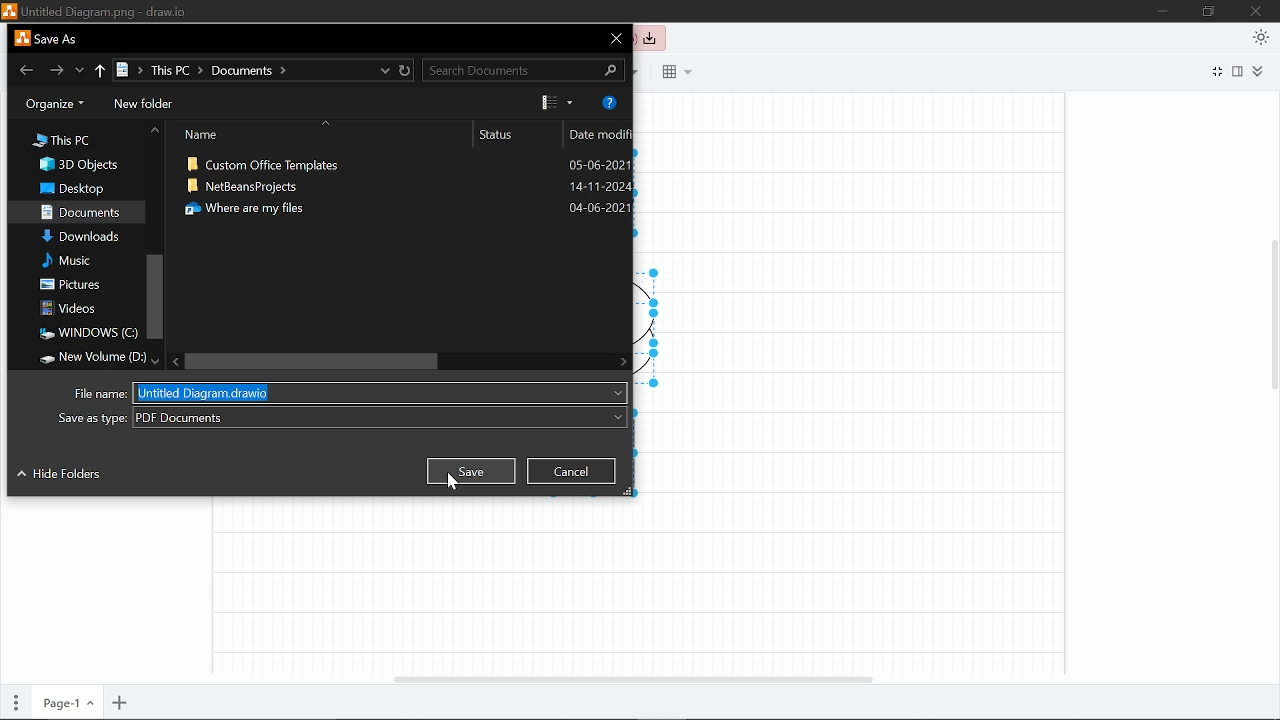  What do you see at coordinates (514, 135) in the screenshot?
I see `Sort by Status` at bounding box center [514, 135].